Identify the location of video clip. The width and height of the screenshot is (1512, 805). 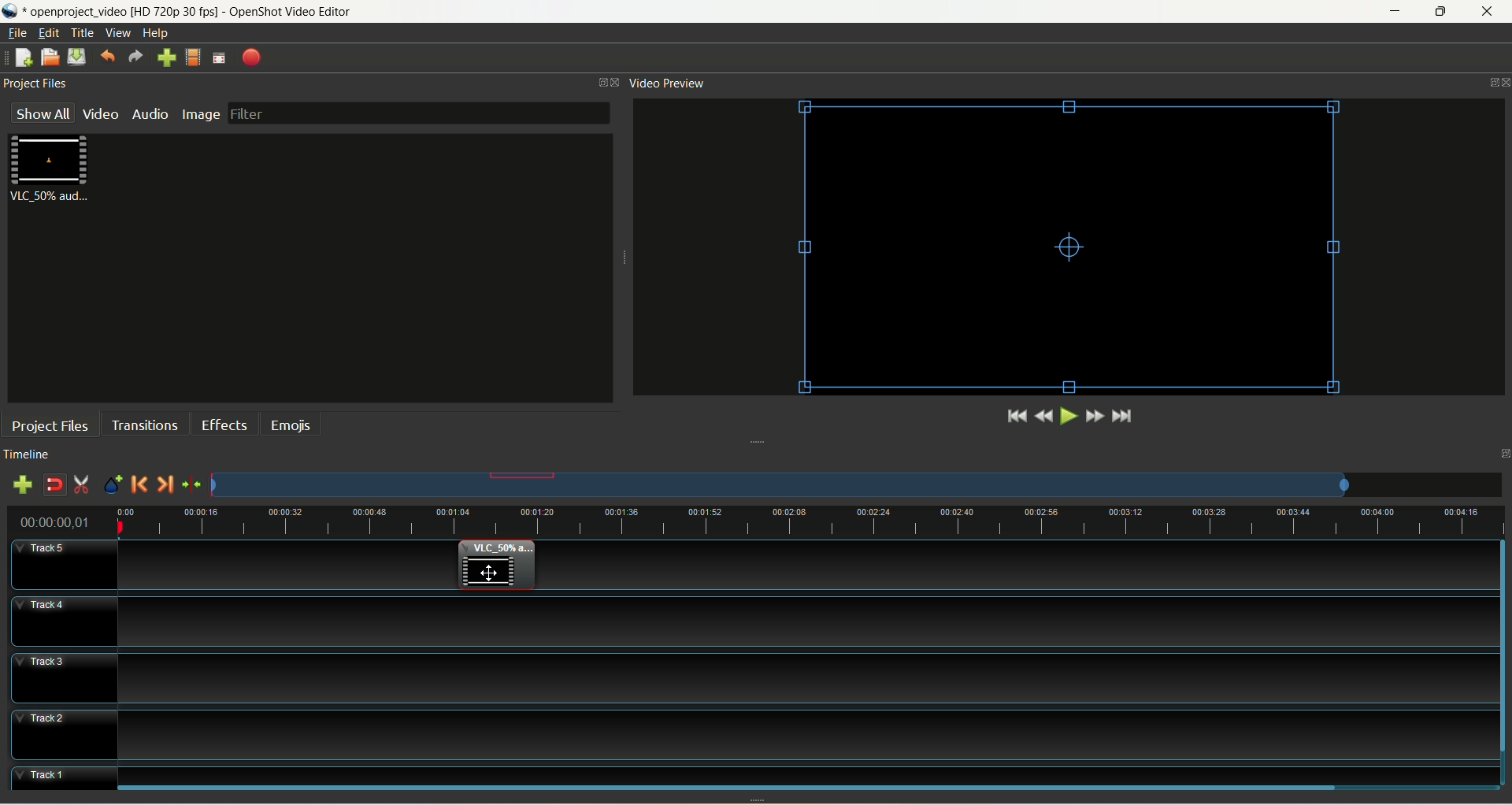
(53, 169).